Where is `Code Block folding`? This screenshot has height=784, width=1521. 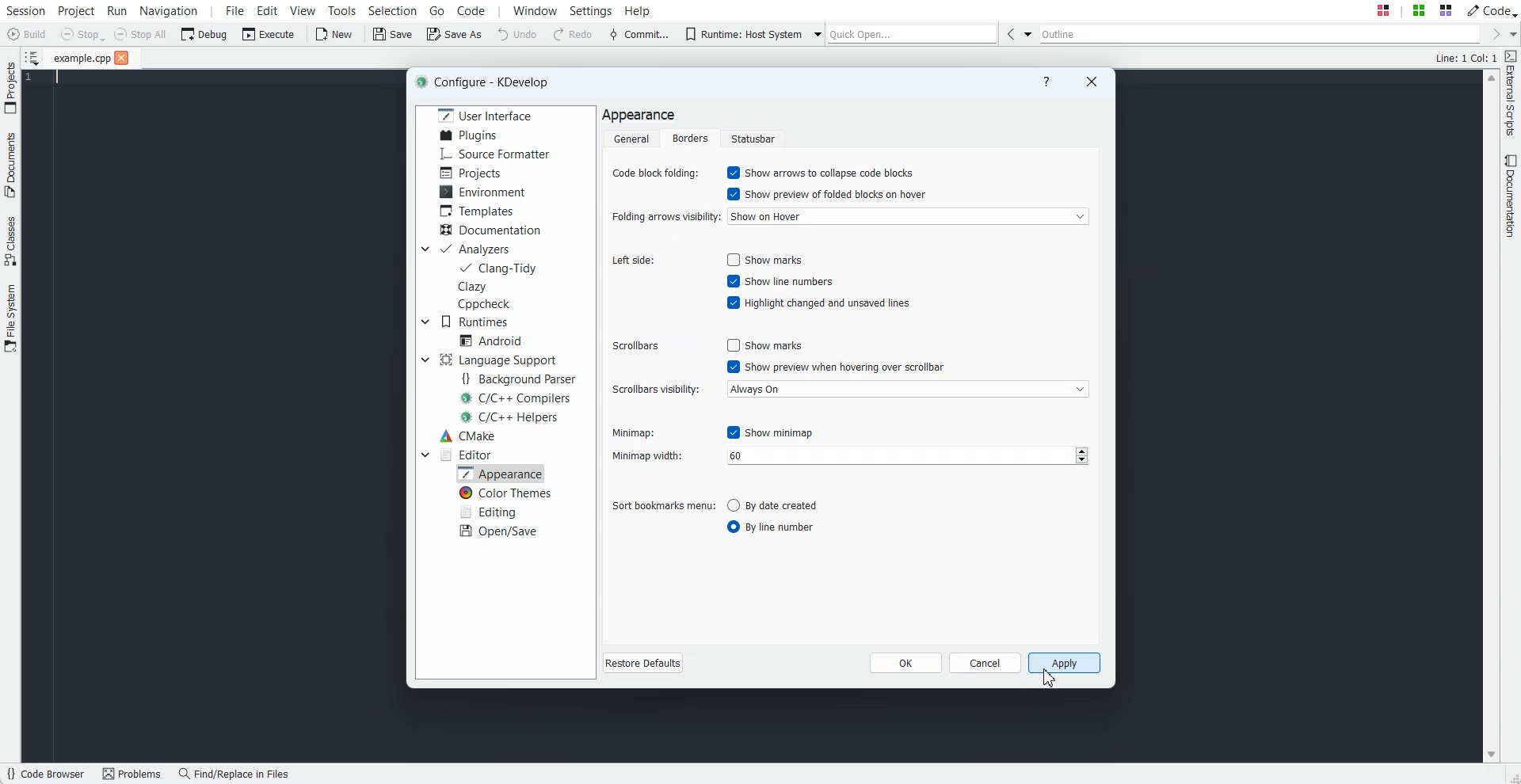 Code Block folding is located at coordinates (656, 172).